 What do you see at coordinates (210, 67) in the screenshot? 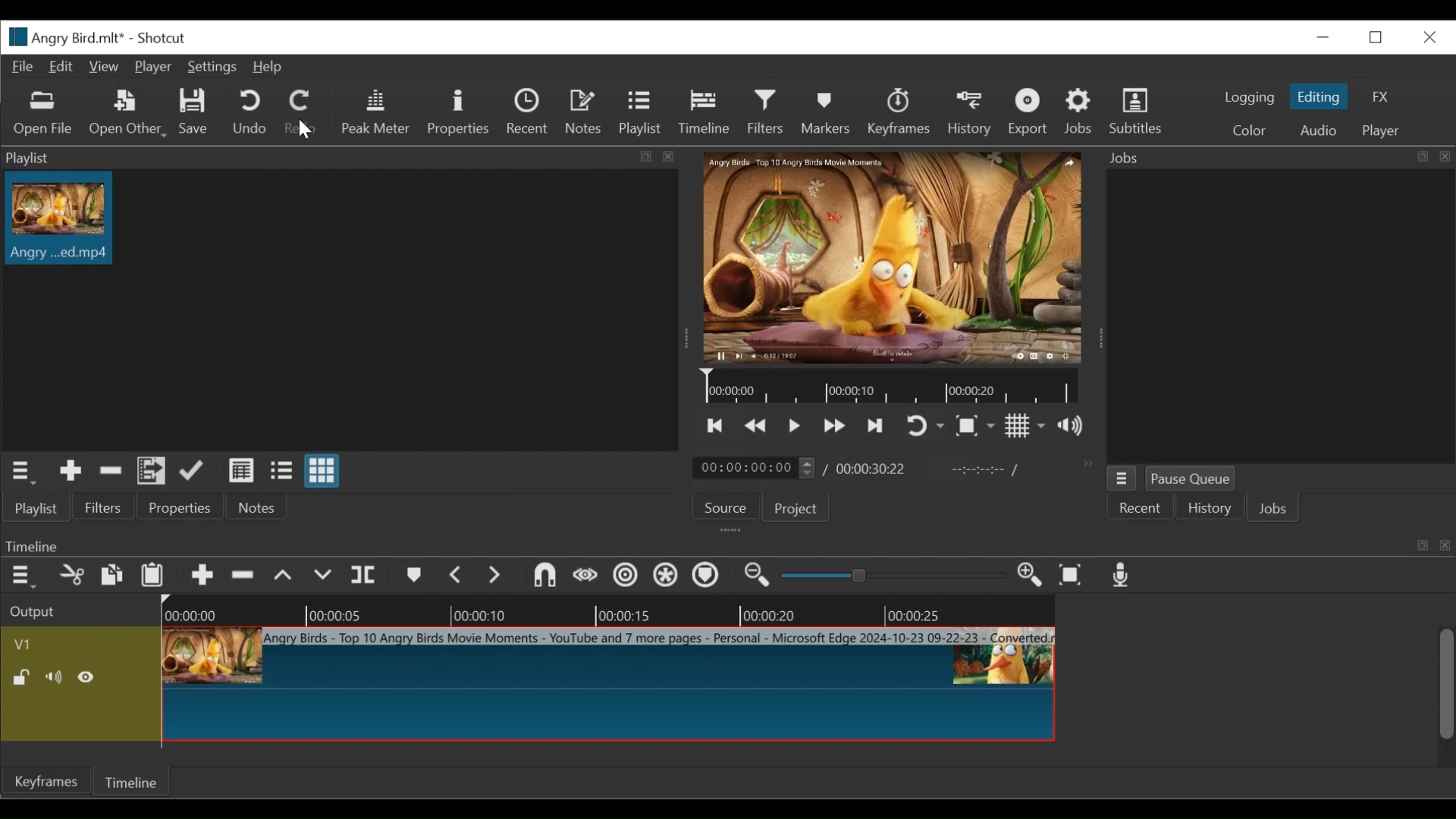
I see `Settings` at bounding box center [210, 67].